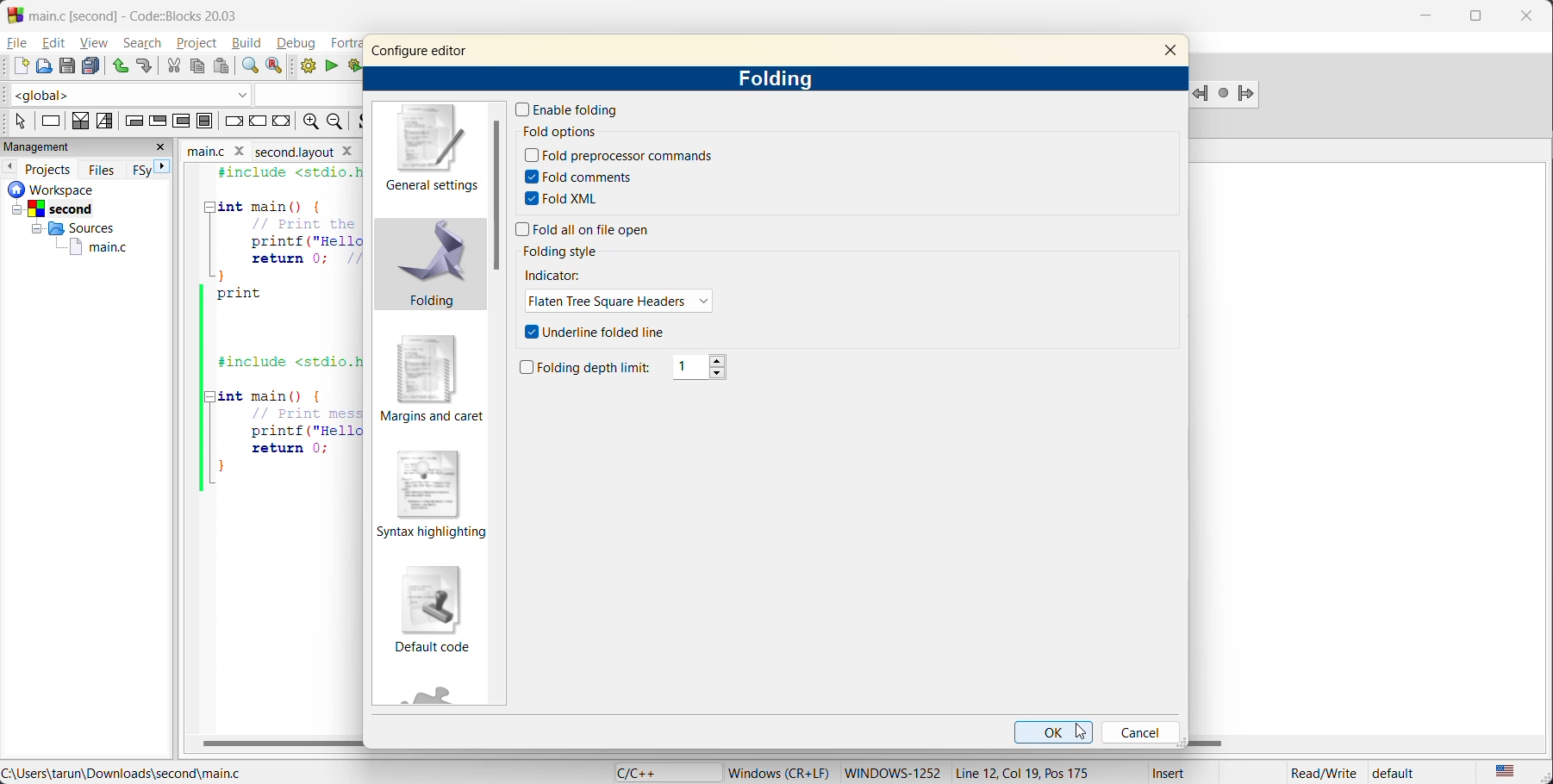 This screenshot has width=1553, height=784. I want to click on find, so click(250, 65).